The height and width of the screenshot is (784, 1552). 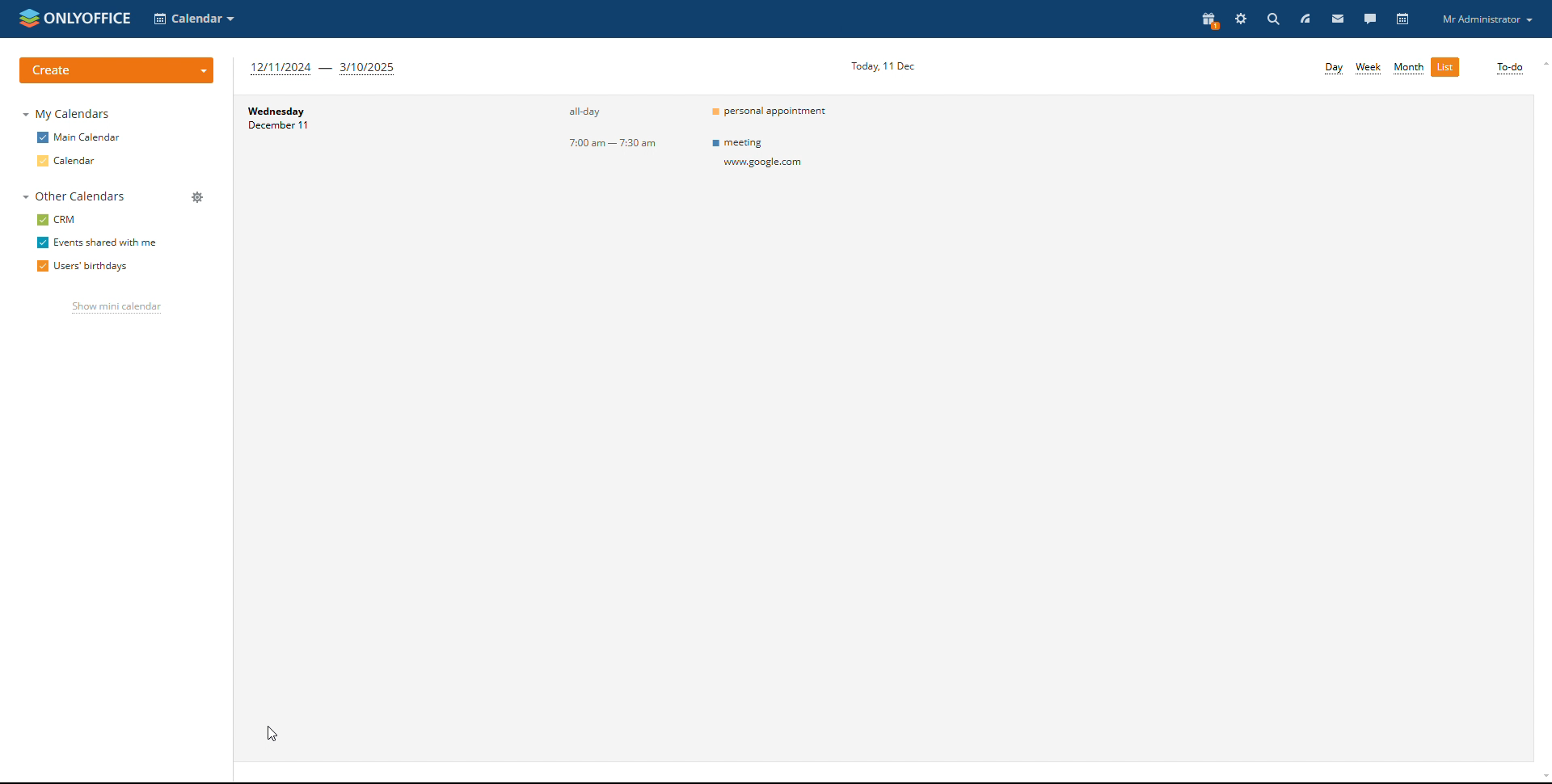 I want to click on talk, so click(x=1370, y=18).